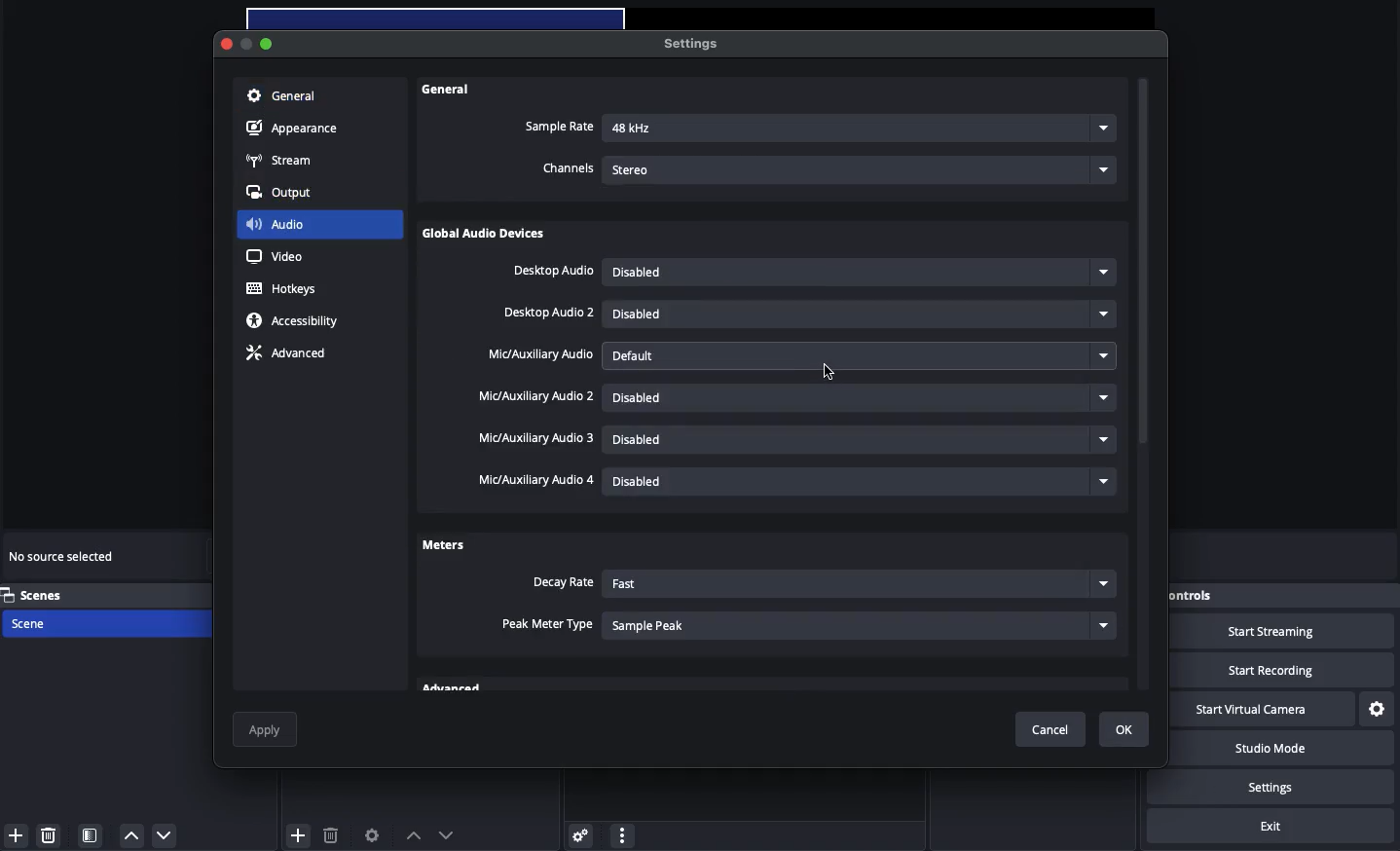  What do you see at coordinates (1124, 729) in the screenshot?
I see `Ok` at bounding box center [1124, 729].